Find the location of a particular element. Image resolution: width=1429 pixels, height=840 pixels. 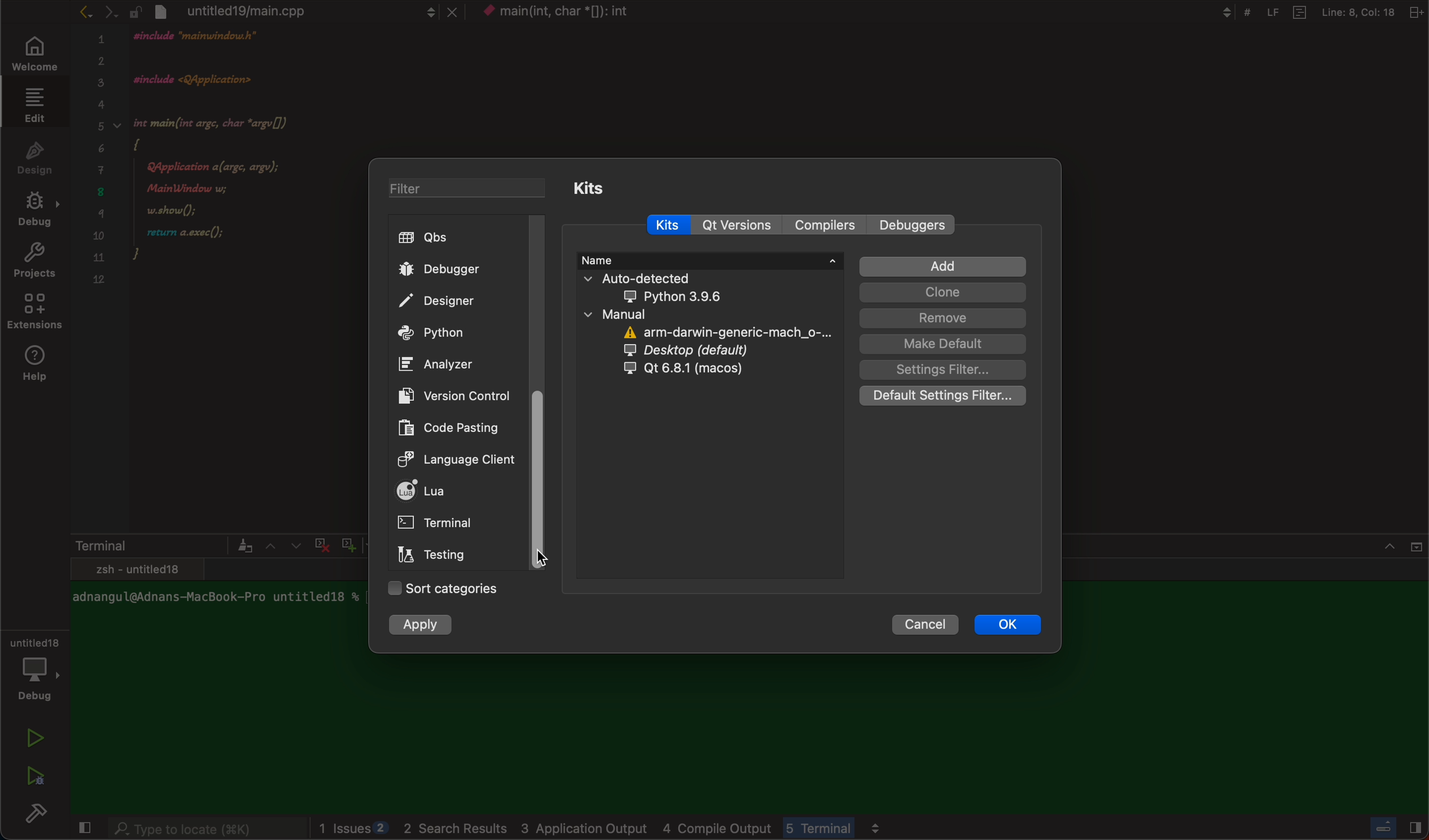

file tab is located at coordinates (294, 11).